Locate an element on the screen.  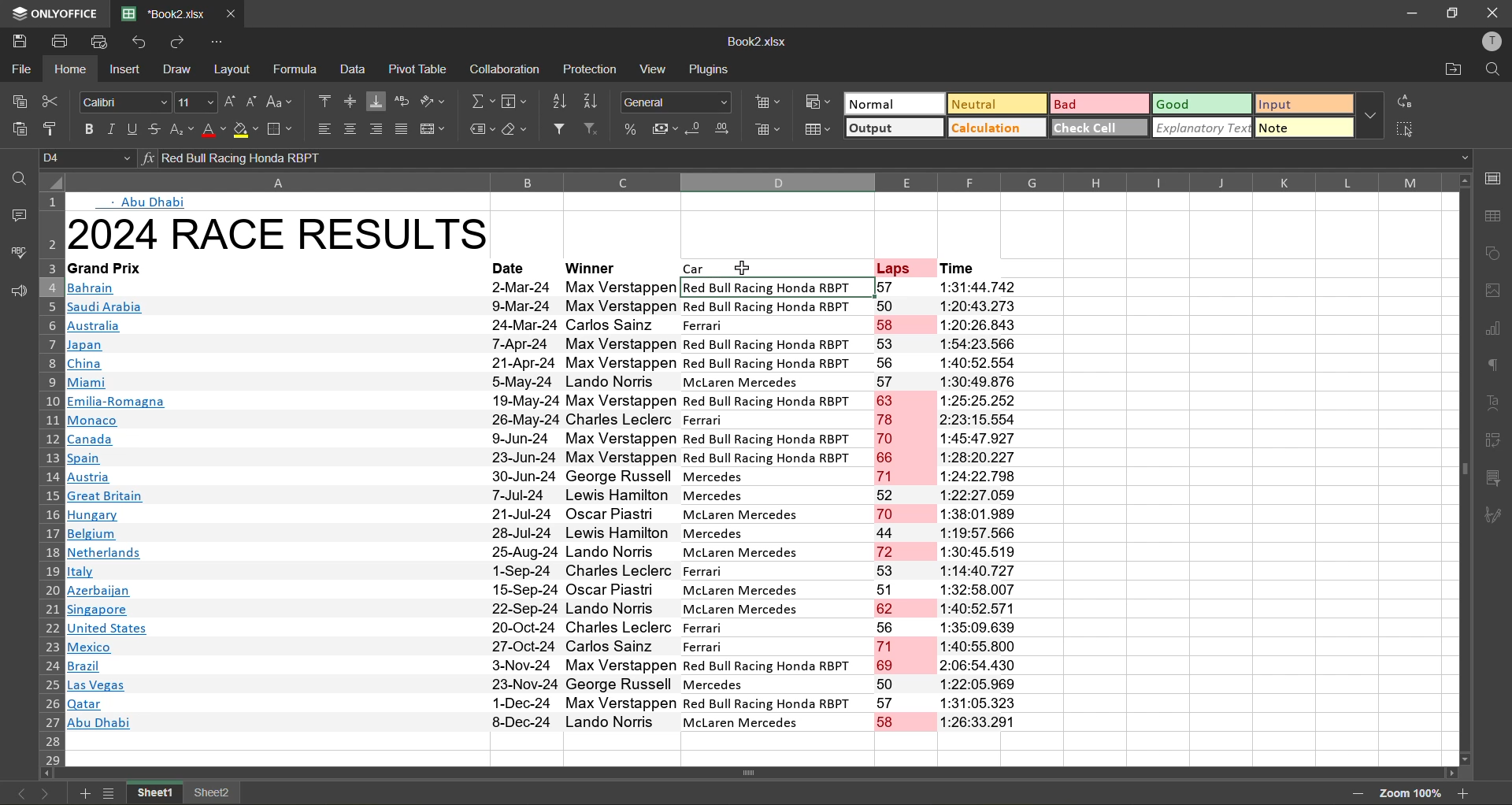
undo is located at coordinates (139, 42).